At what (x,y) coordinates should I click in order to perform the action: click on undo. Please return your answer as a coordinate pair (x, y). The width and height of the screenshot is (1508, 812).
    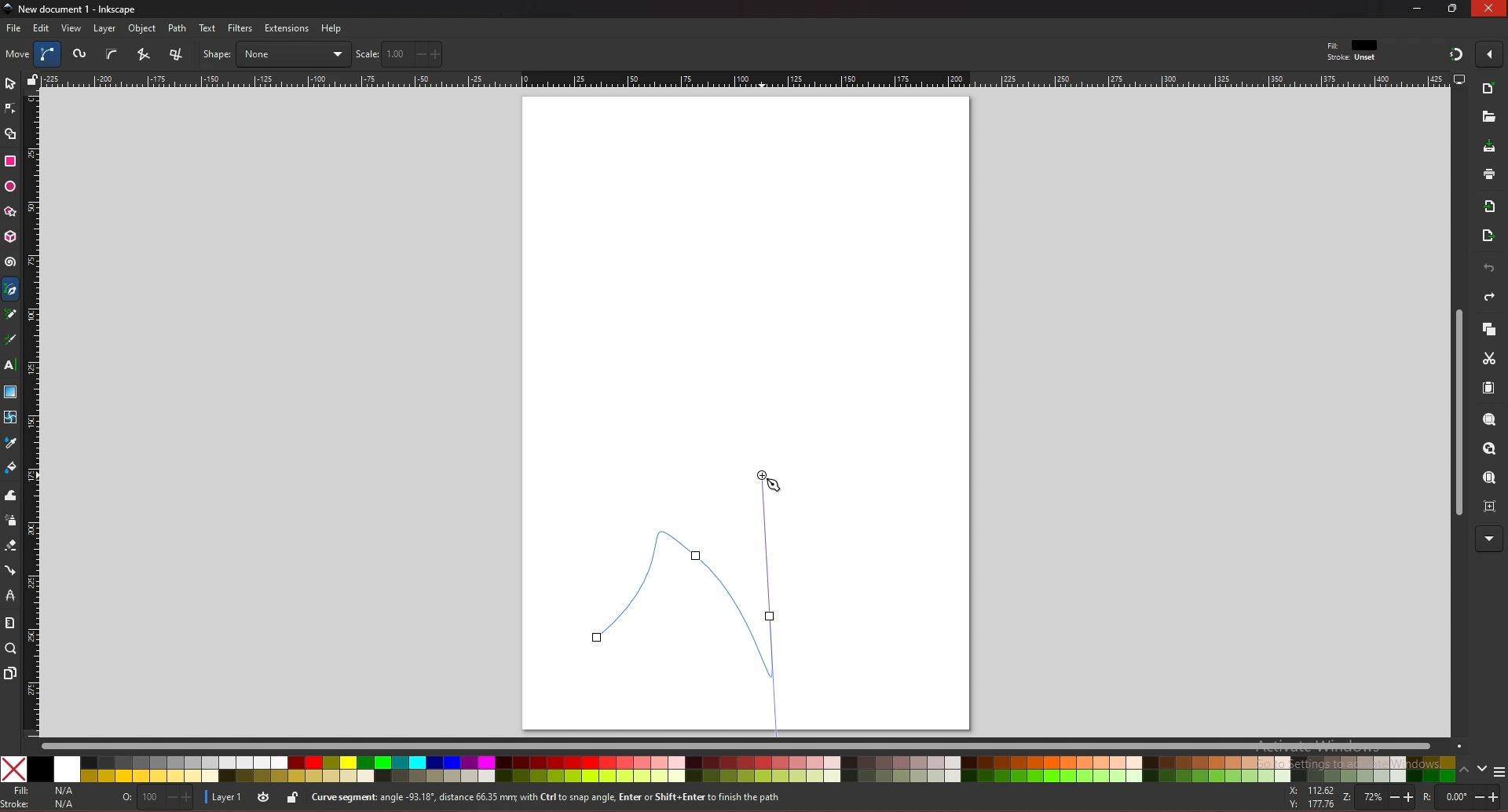
    Looking at the image, I should click on (1489, 269).